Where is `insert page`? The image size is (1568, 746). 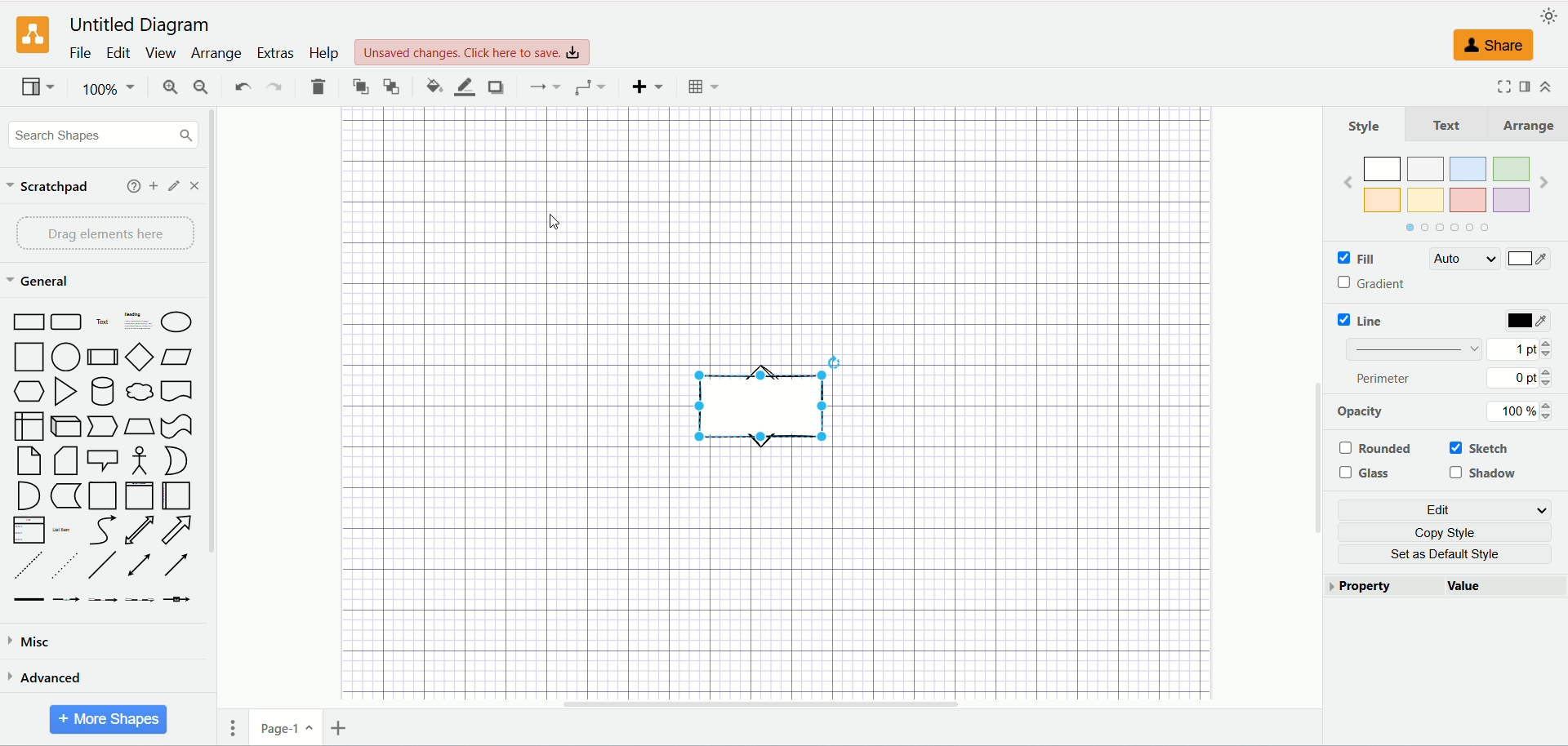 insert page is located at coordinates (344, 728).